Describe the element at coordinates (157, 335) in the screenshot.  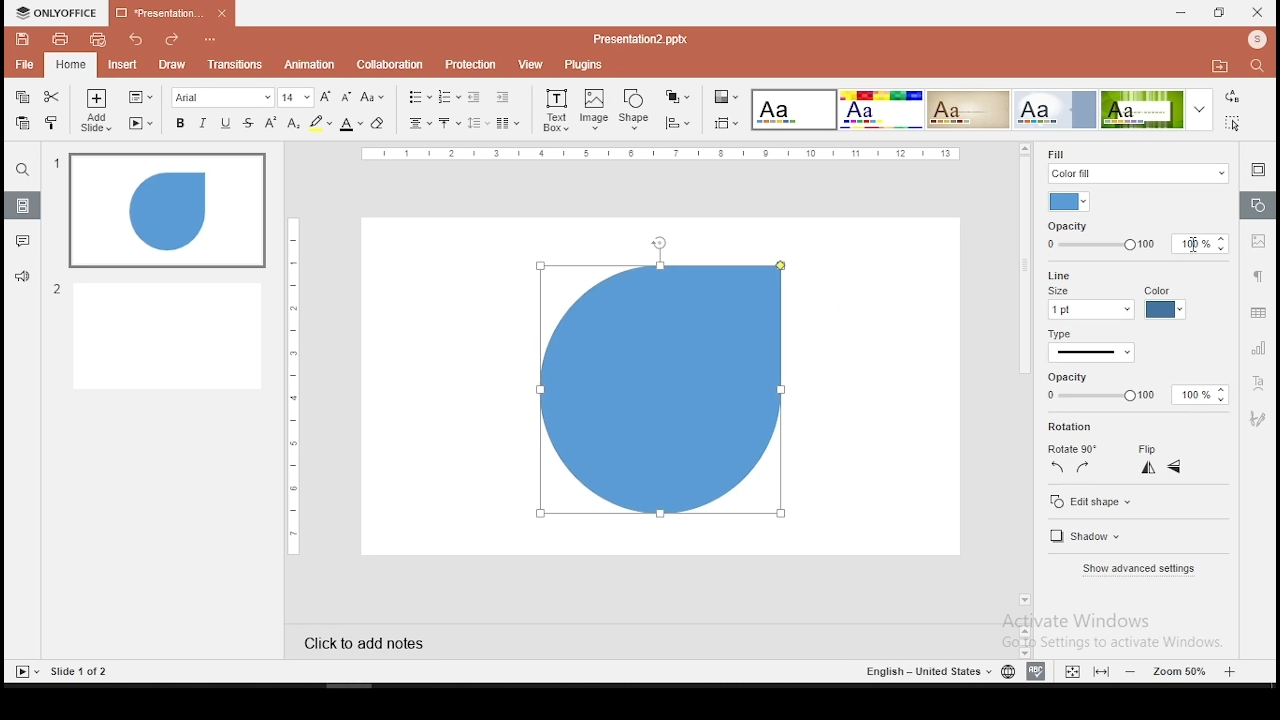
I see `slide 2` at that location.